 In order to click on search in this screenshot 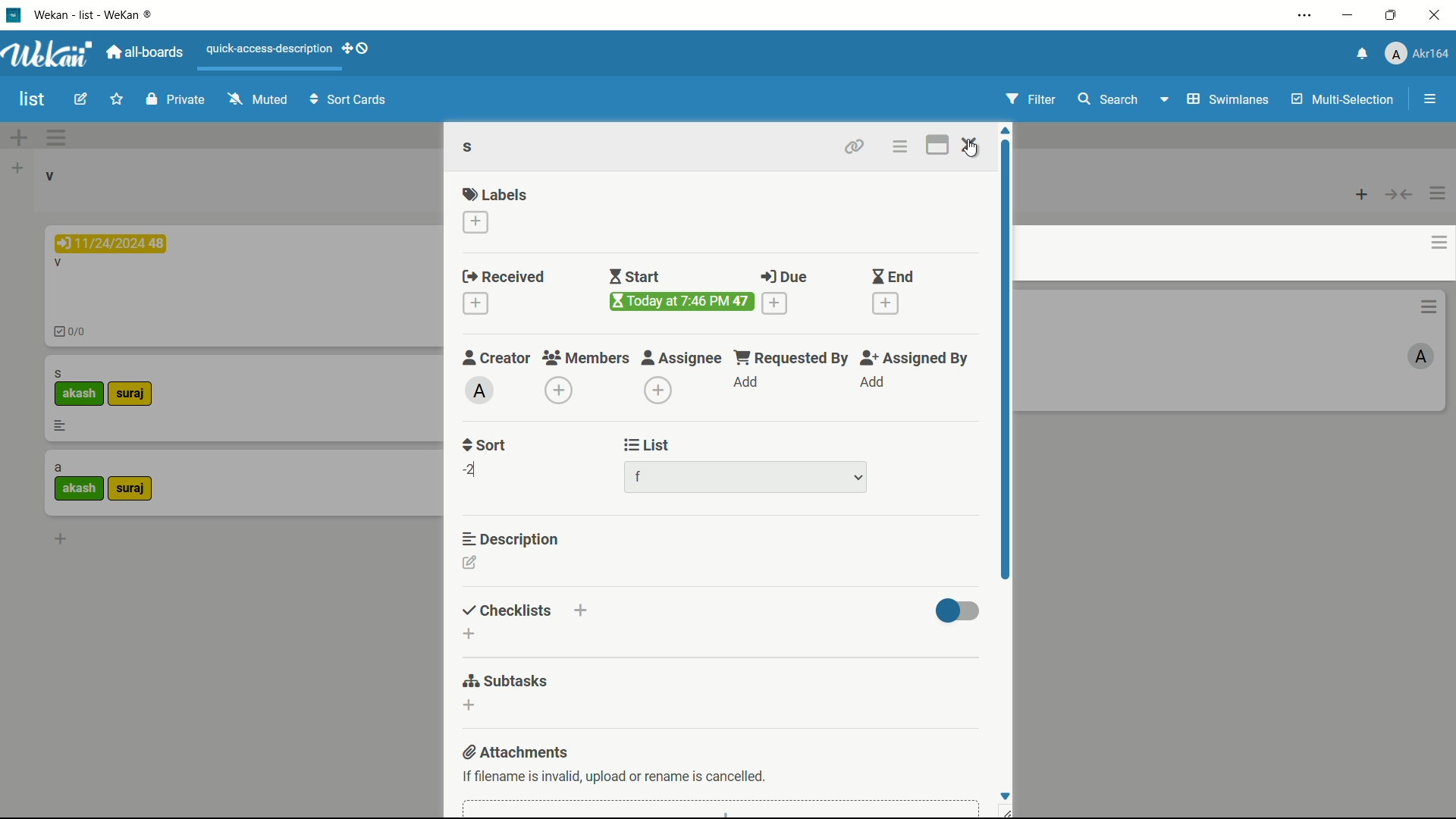, I will do `click(1107, 99)`.